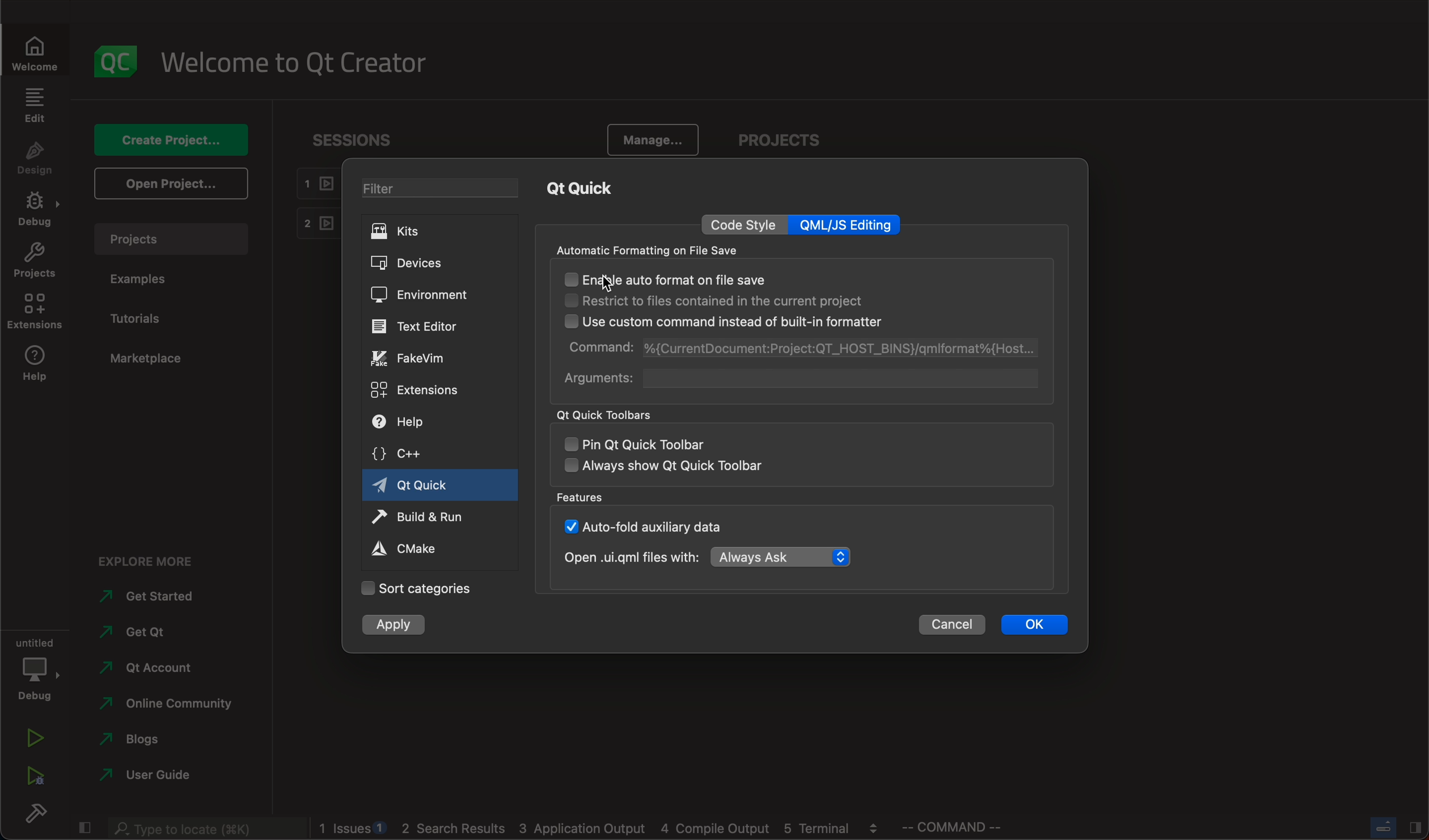  What do you see at coordinates (36, 210) in the screenshot?
I see `debug` at bounding box center [36, 210].